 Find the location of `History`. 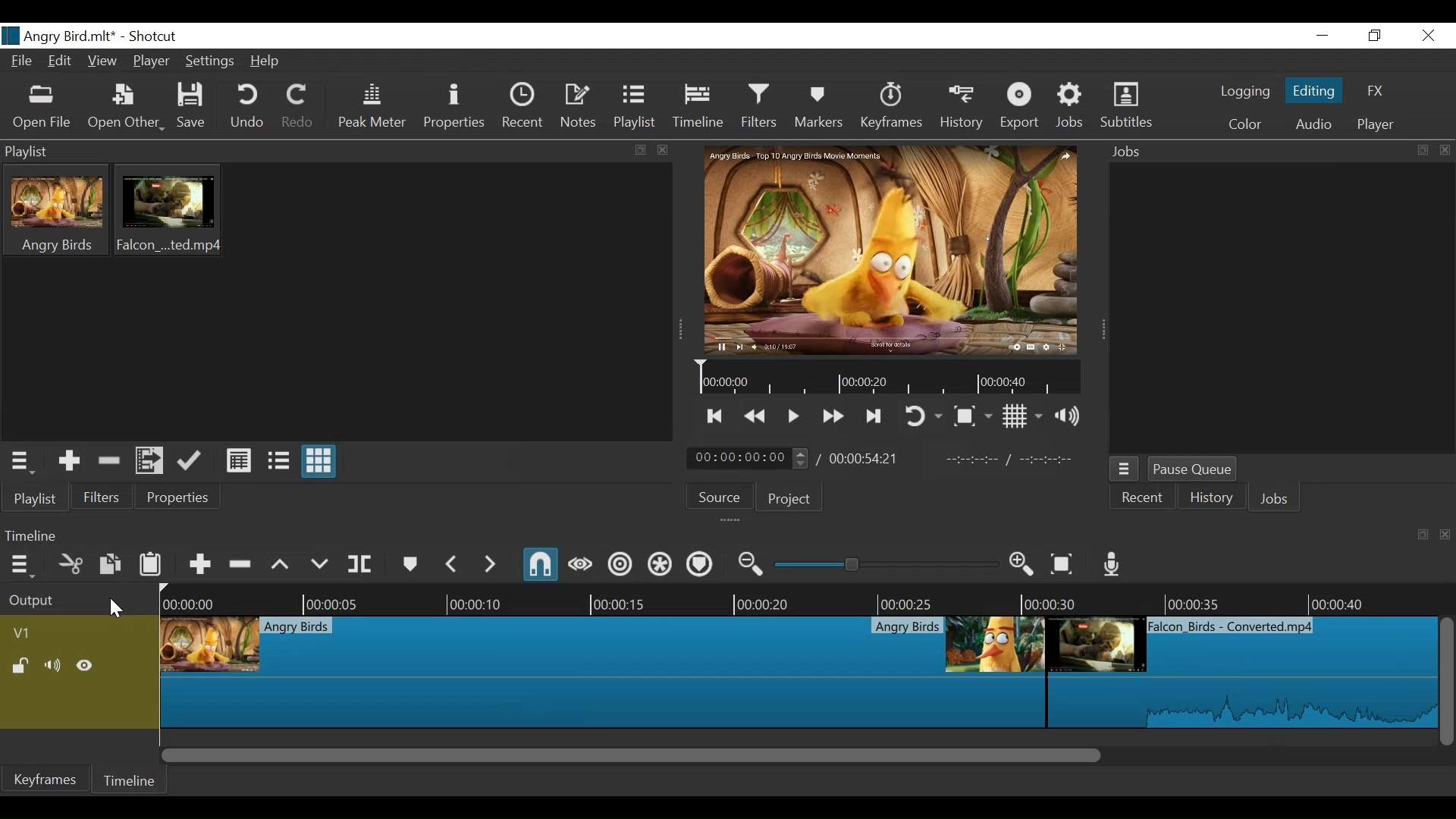

History is located at coordinates (1213, 497).